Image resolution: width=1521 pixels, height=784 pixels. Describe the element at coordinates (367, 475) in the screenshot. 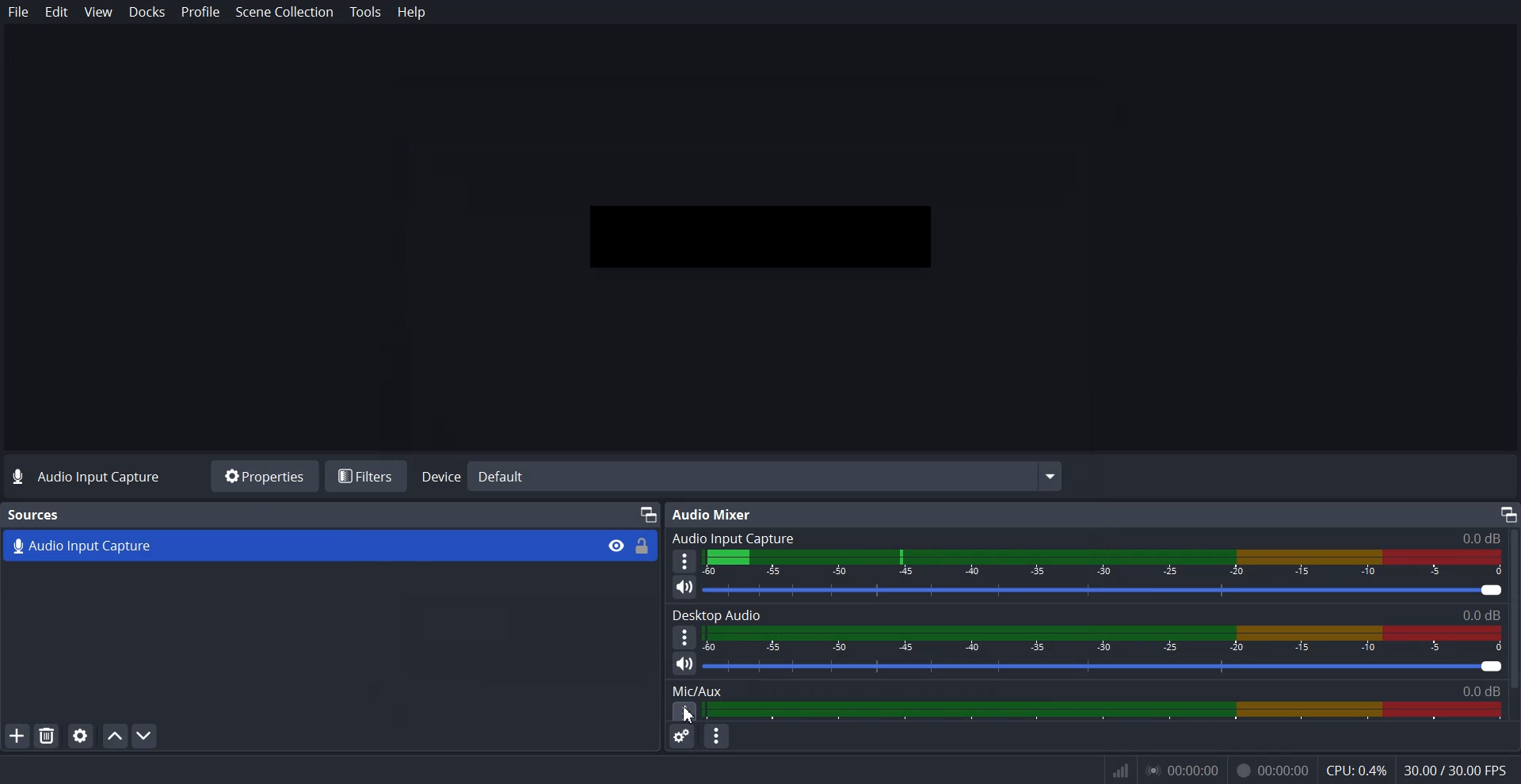

I see `Filters` at that location.